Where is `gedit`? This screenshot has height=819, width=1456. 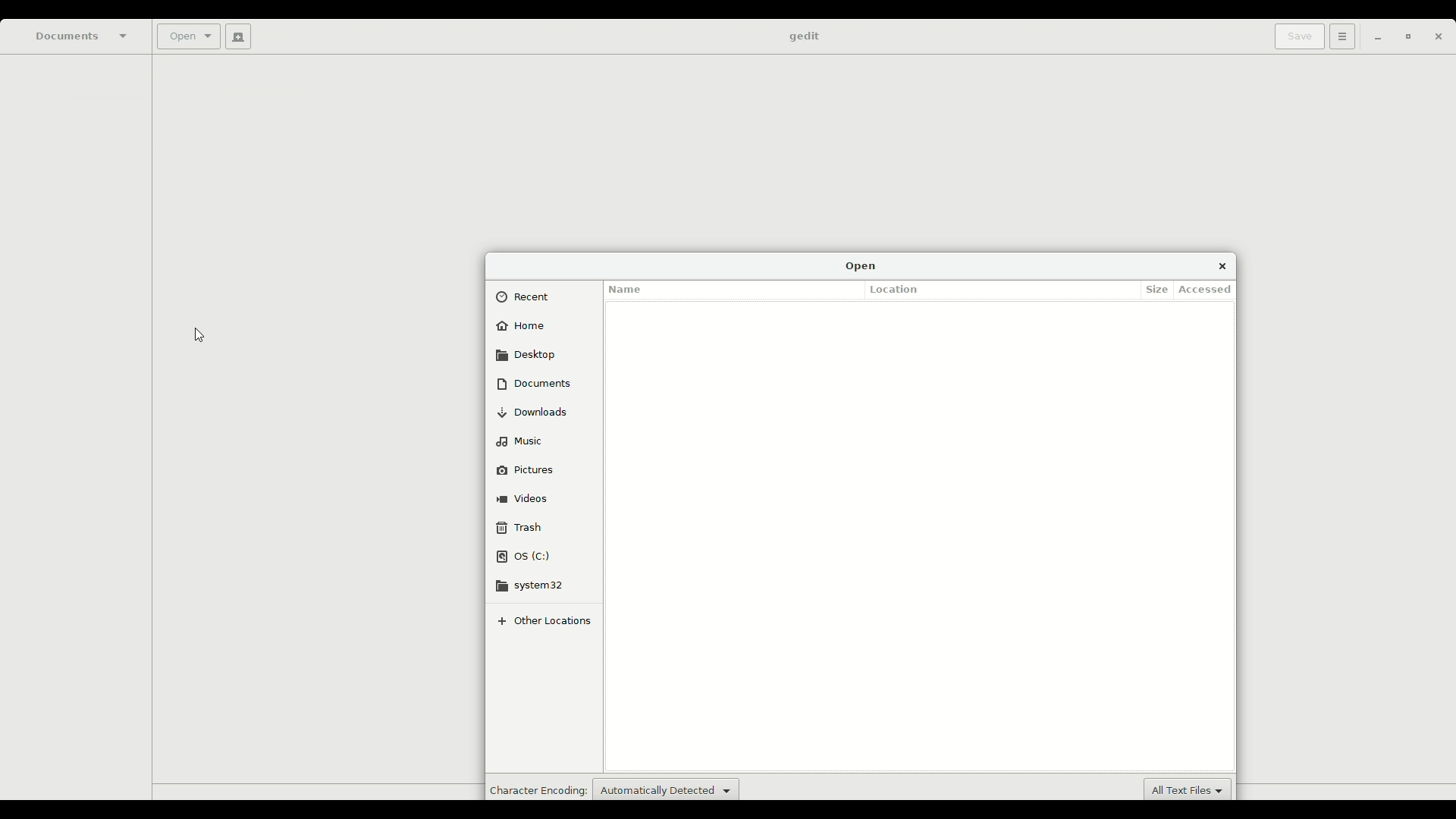
gedit is located at coordinates (803, 37).